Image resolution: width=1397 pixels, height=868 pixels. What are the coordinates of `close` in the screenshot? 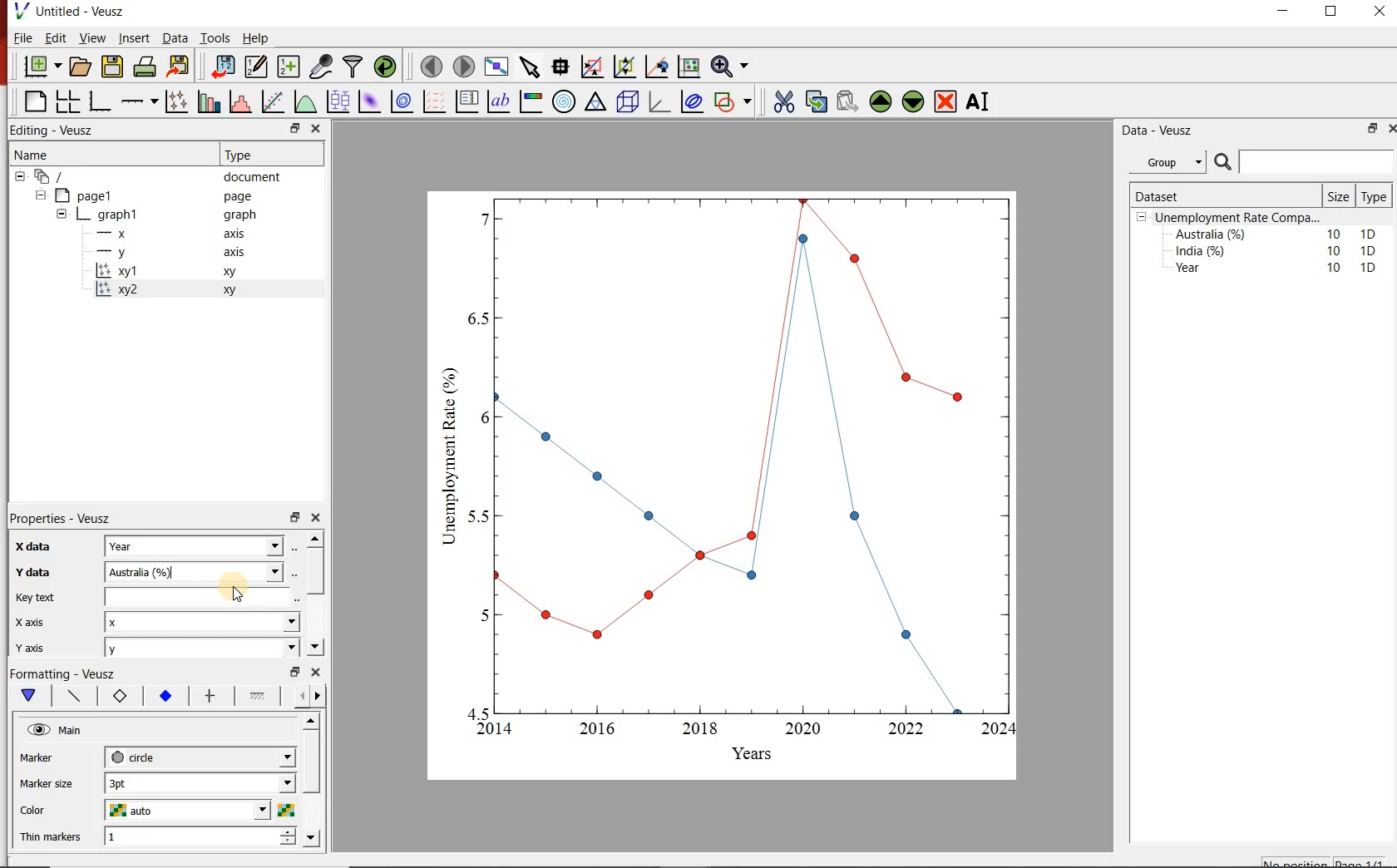 It's located at (1392, 127).